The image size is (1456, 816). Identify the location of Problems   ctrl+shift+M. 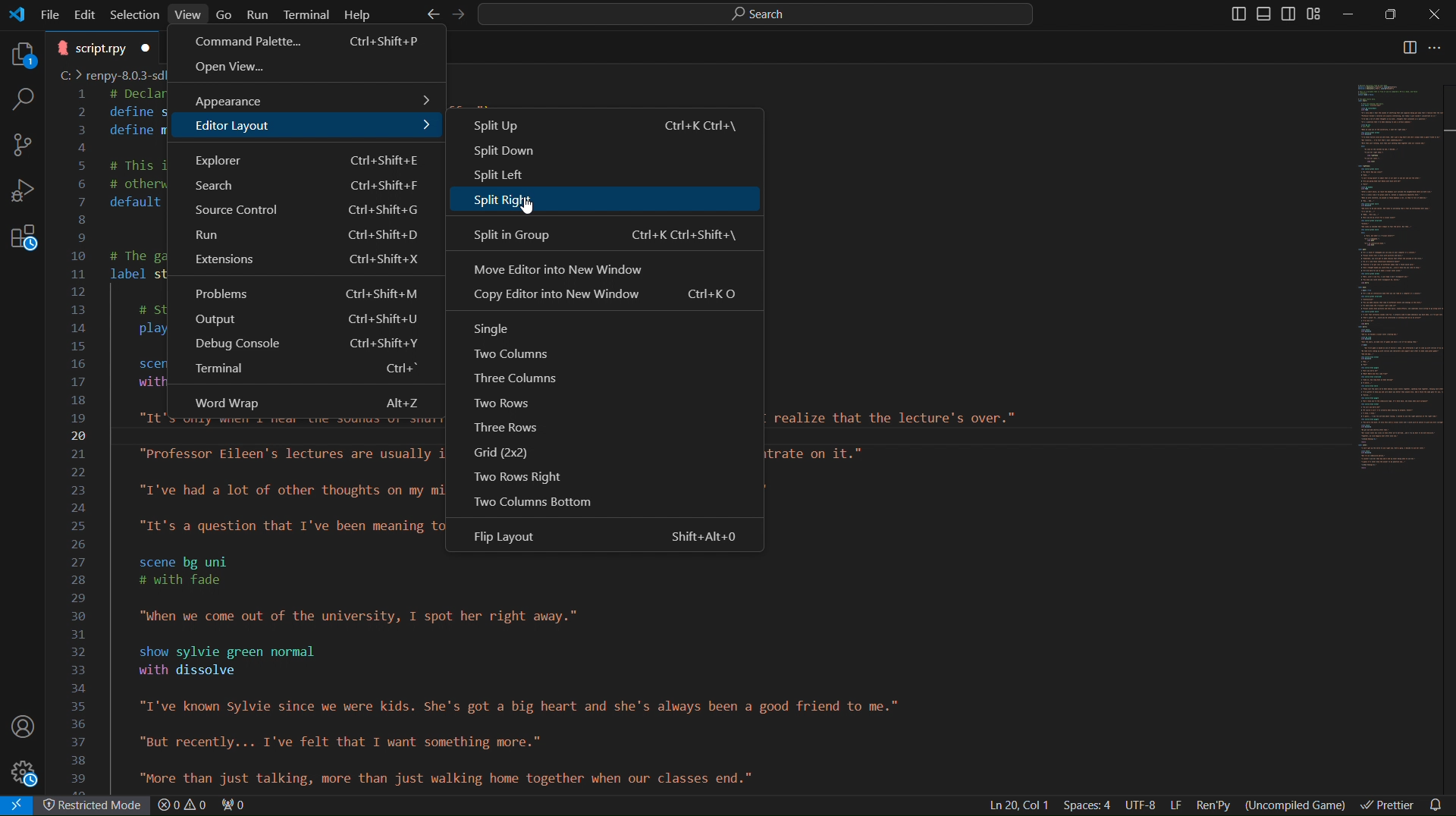
(306, 292).